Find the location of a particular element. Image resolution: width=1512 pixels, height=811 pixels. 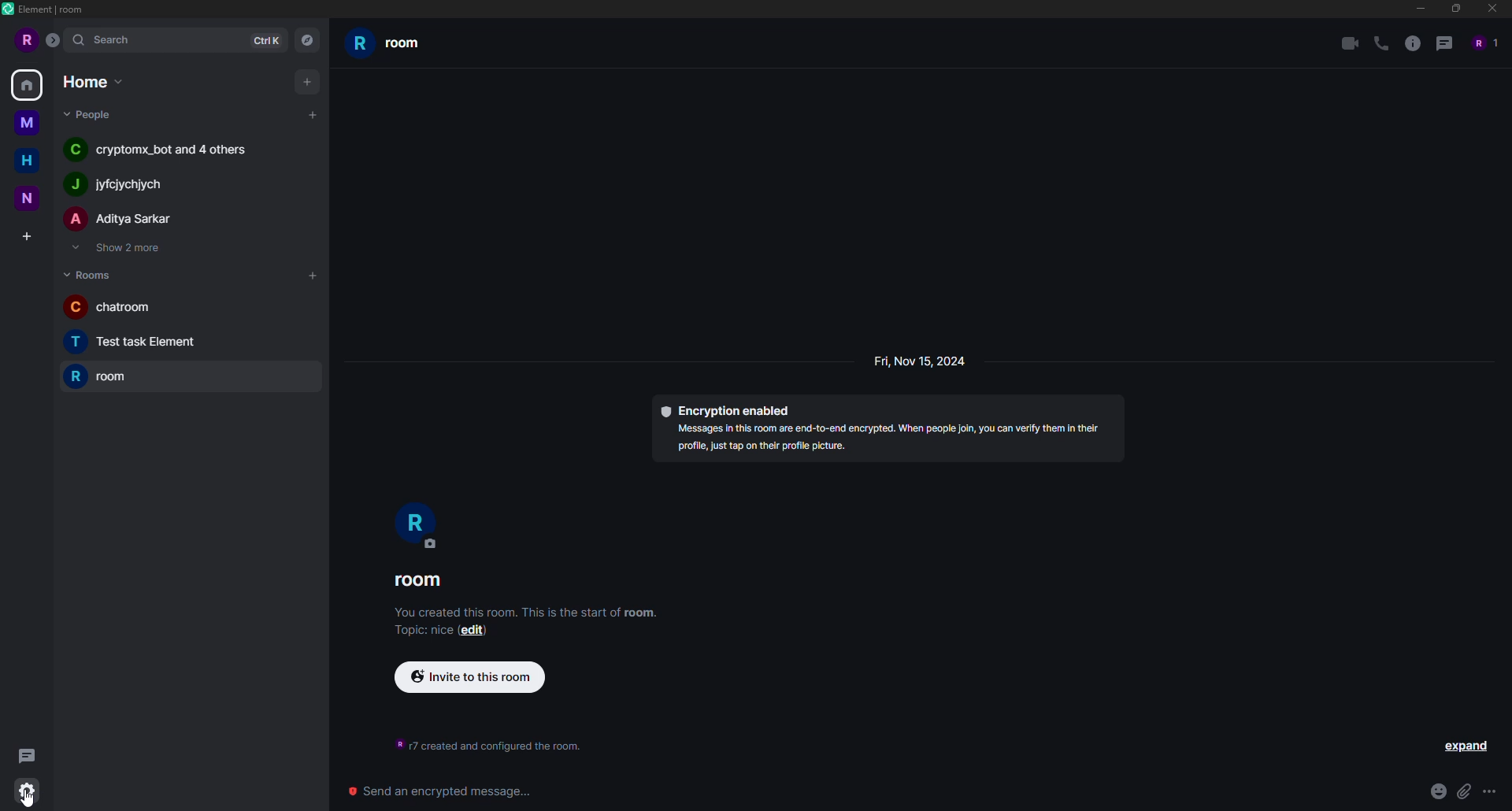

'® (7 created and configured the room. is located at coordinates (491, 746).